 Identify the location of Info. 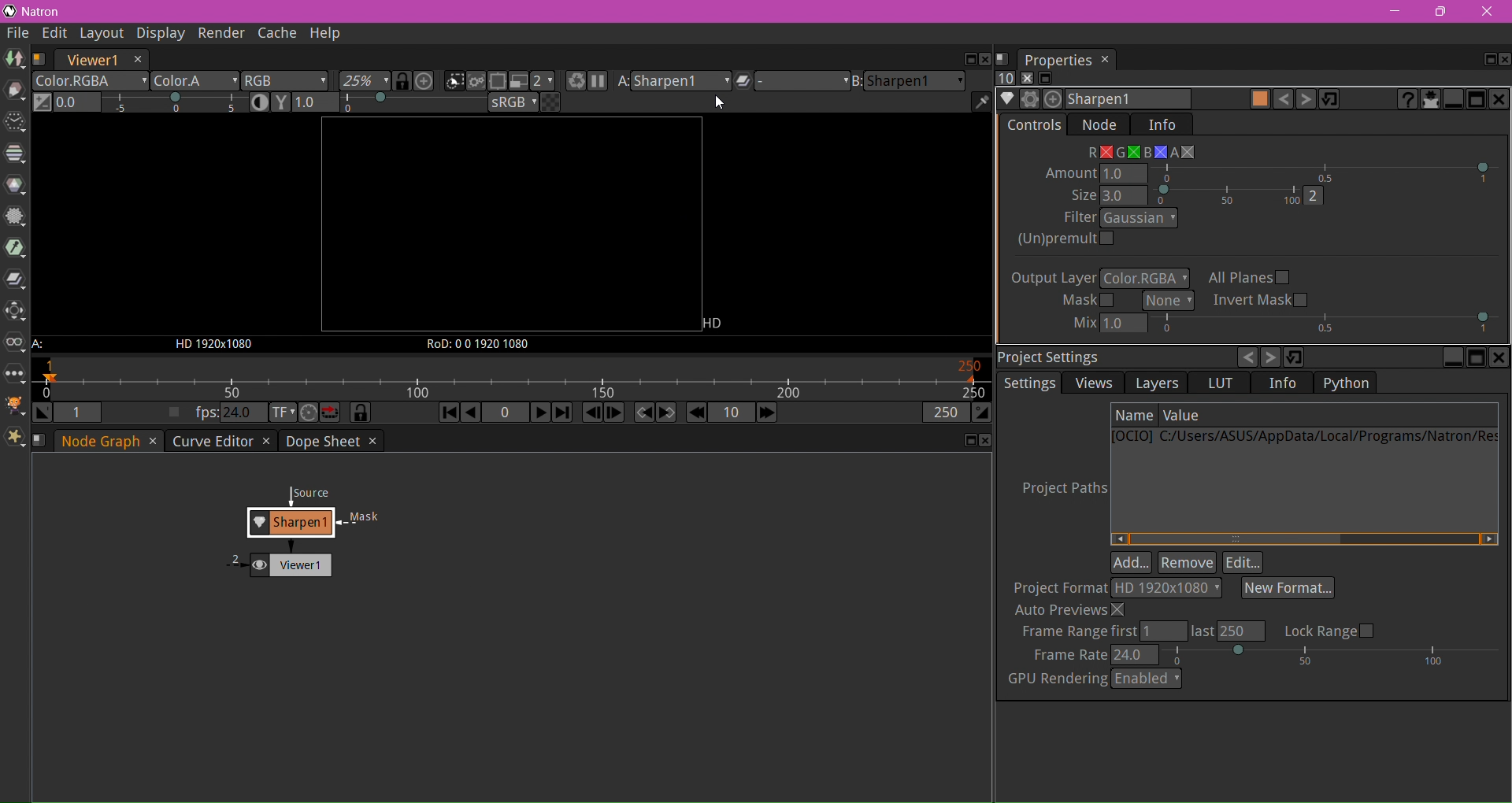
(1282, 384).